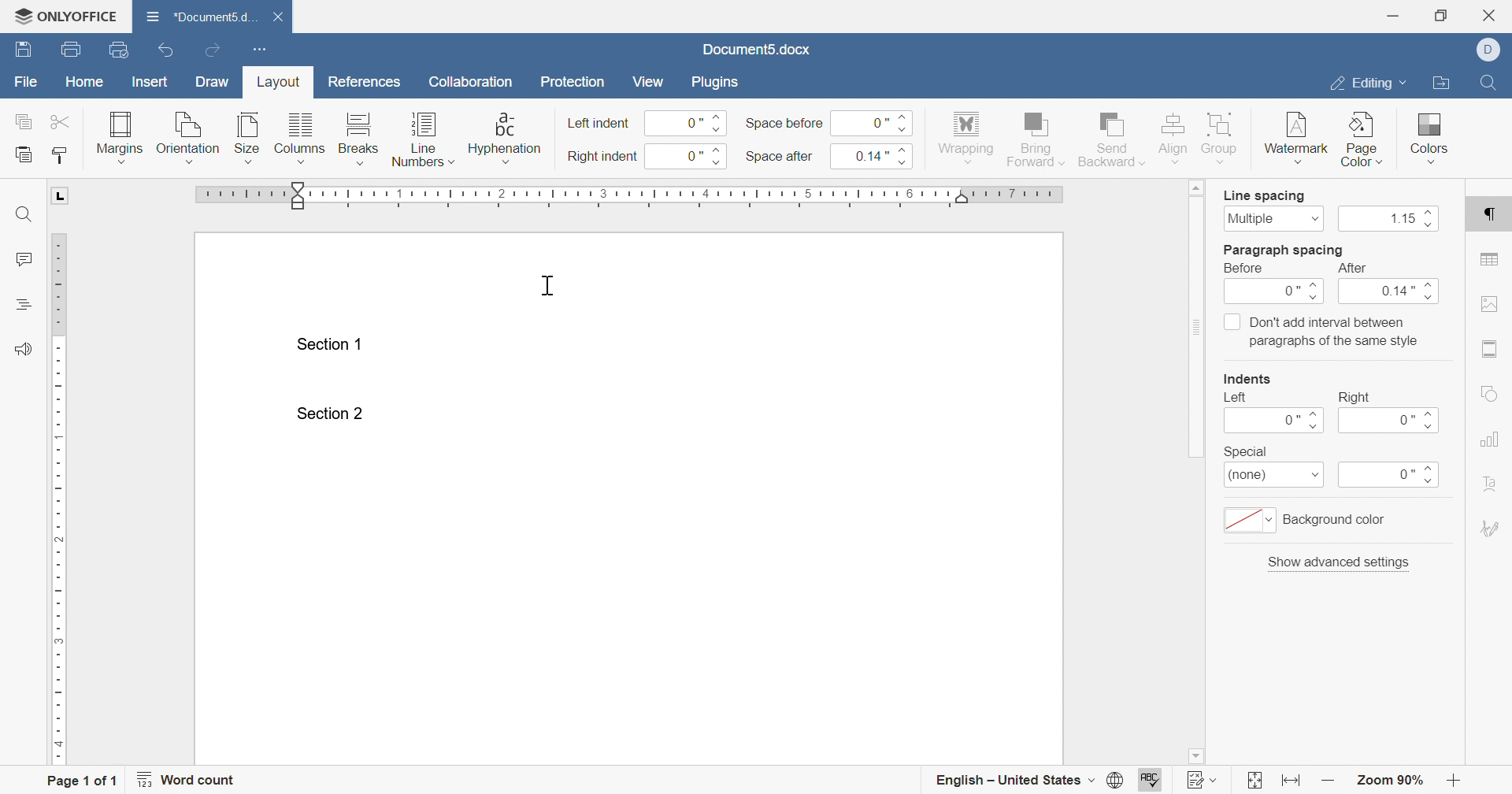 The height and width of the screenshot is (794, 1512). I want to click on paragraph spacing, so click(1284, 250).